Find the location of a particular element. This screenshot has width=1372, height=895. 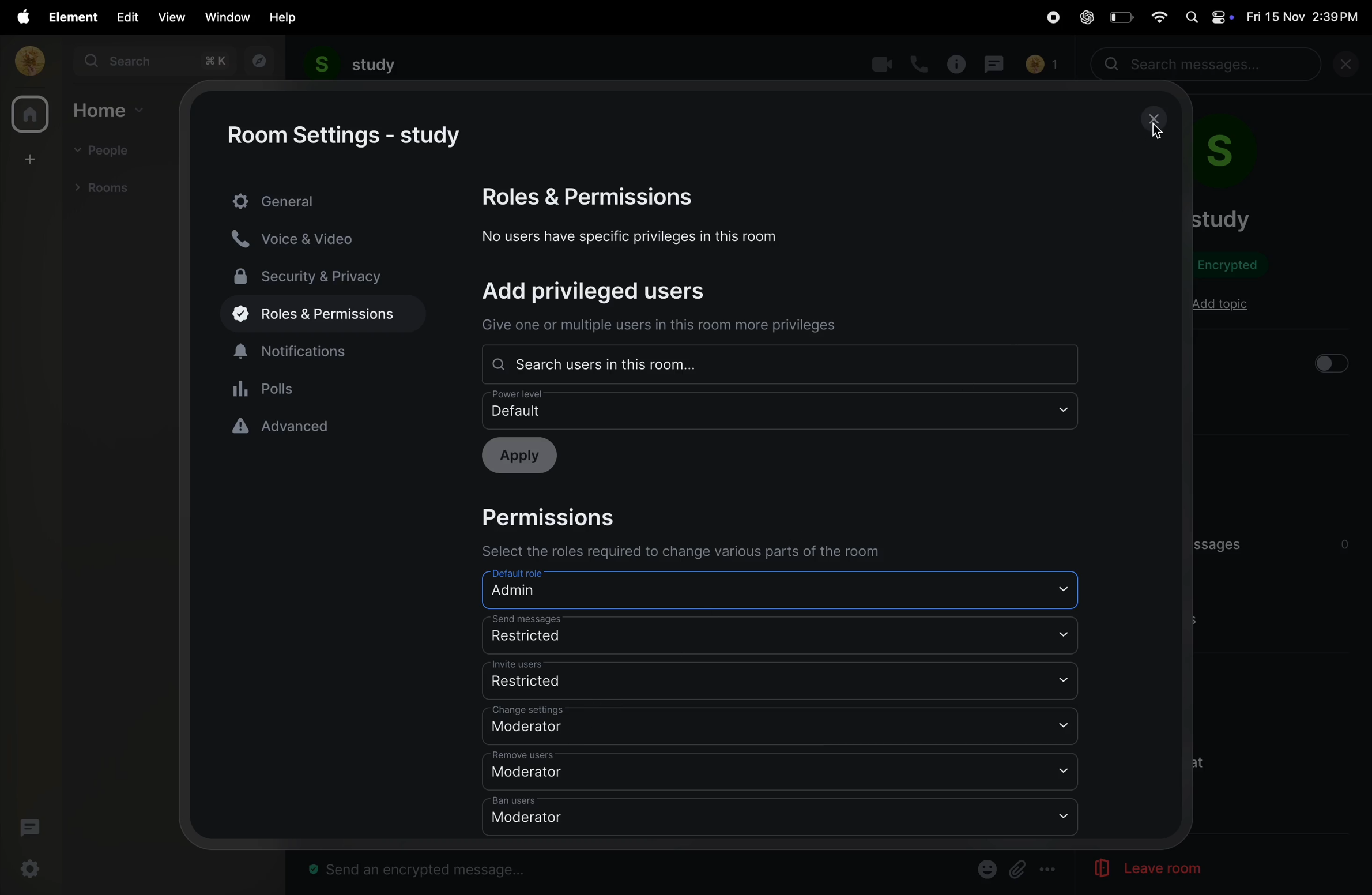

encrypted is located at coordinates (1235, 267).